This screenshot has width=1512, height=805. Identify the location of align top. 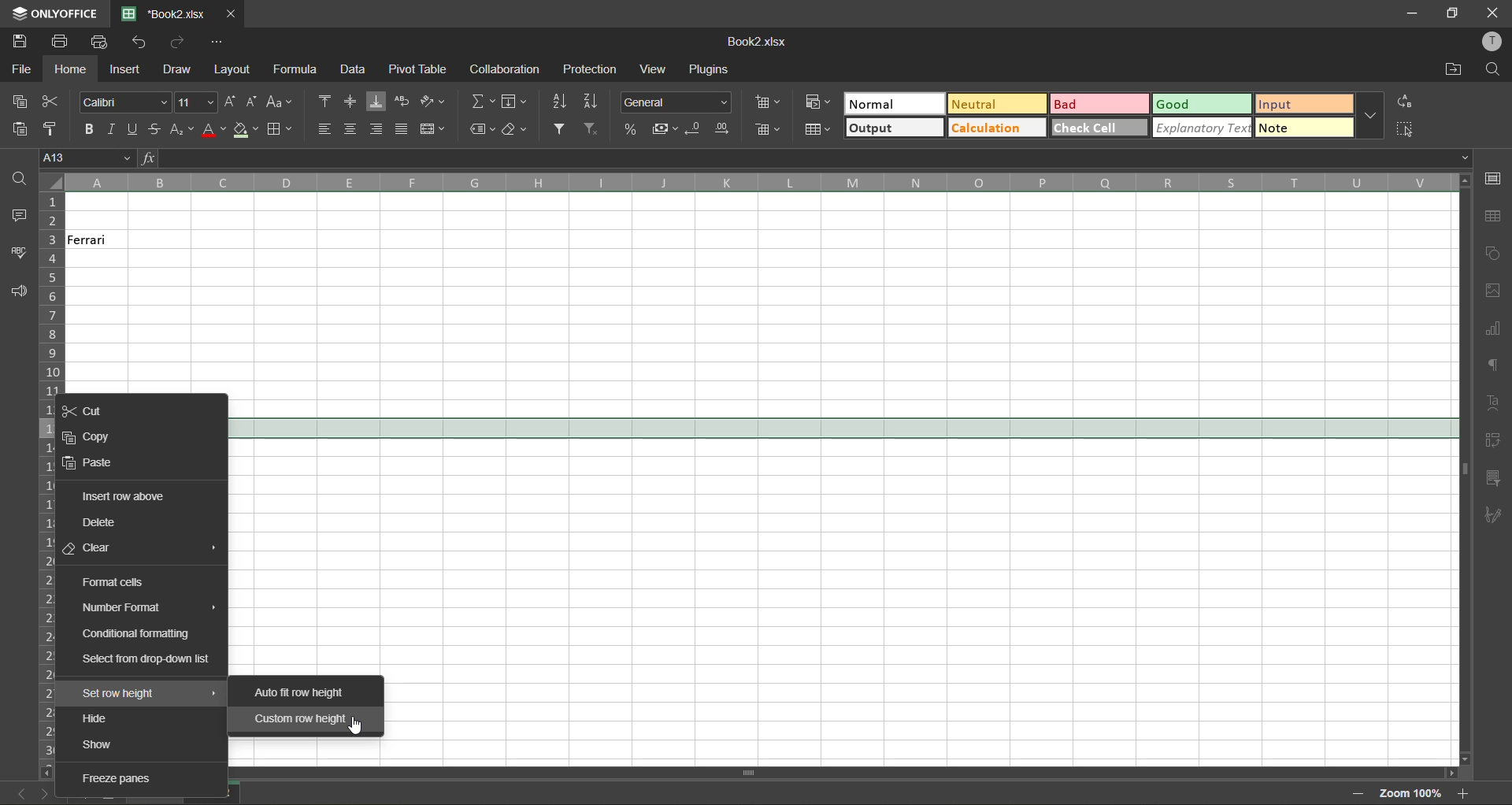
(328, 100).